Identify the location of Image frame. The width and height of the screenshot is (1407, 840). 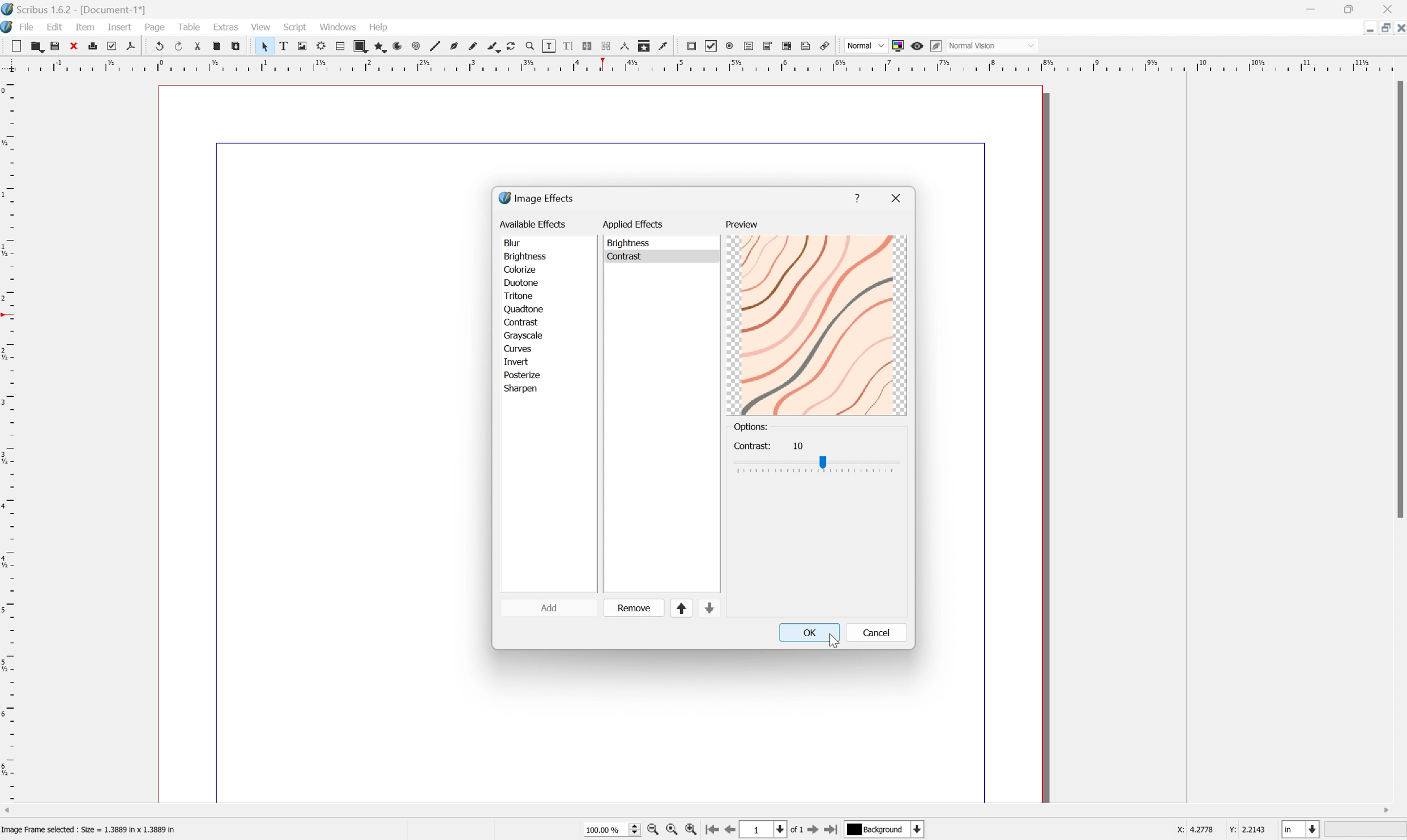
(301, 44).